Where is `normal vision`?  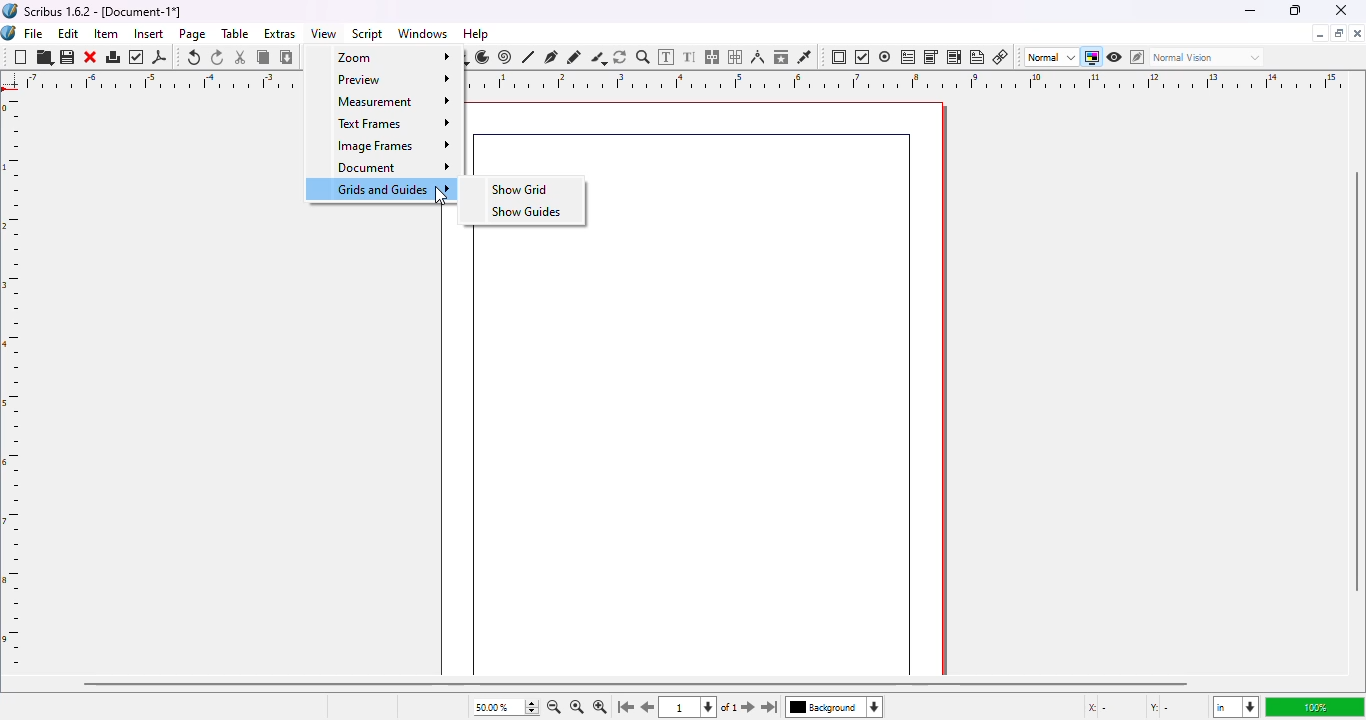
normal vision is located at coordinates (1209, 57).